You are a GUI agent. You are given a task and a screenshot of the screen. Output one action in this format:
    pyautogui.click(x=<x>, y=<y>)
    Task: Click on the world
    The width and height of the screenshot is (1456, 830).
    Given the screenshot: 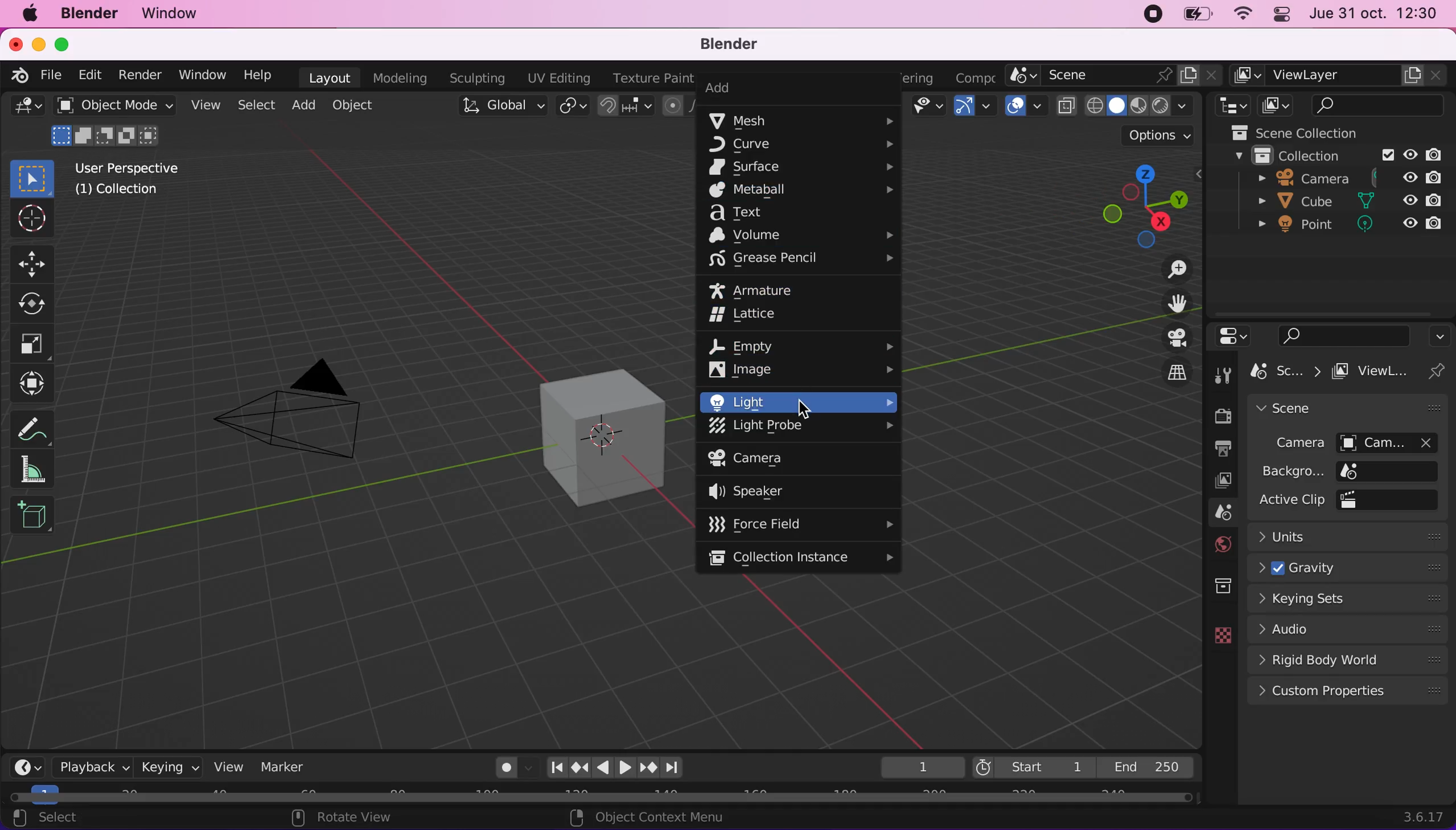 What is the action you would take?
    pyautogui.click(x=1219, y=545)
    